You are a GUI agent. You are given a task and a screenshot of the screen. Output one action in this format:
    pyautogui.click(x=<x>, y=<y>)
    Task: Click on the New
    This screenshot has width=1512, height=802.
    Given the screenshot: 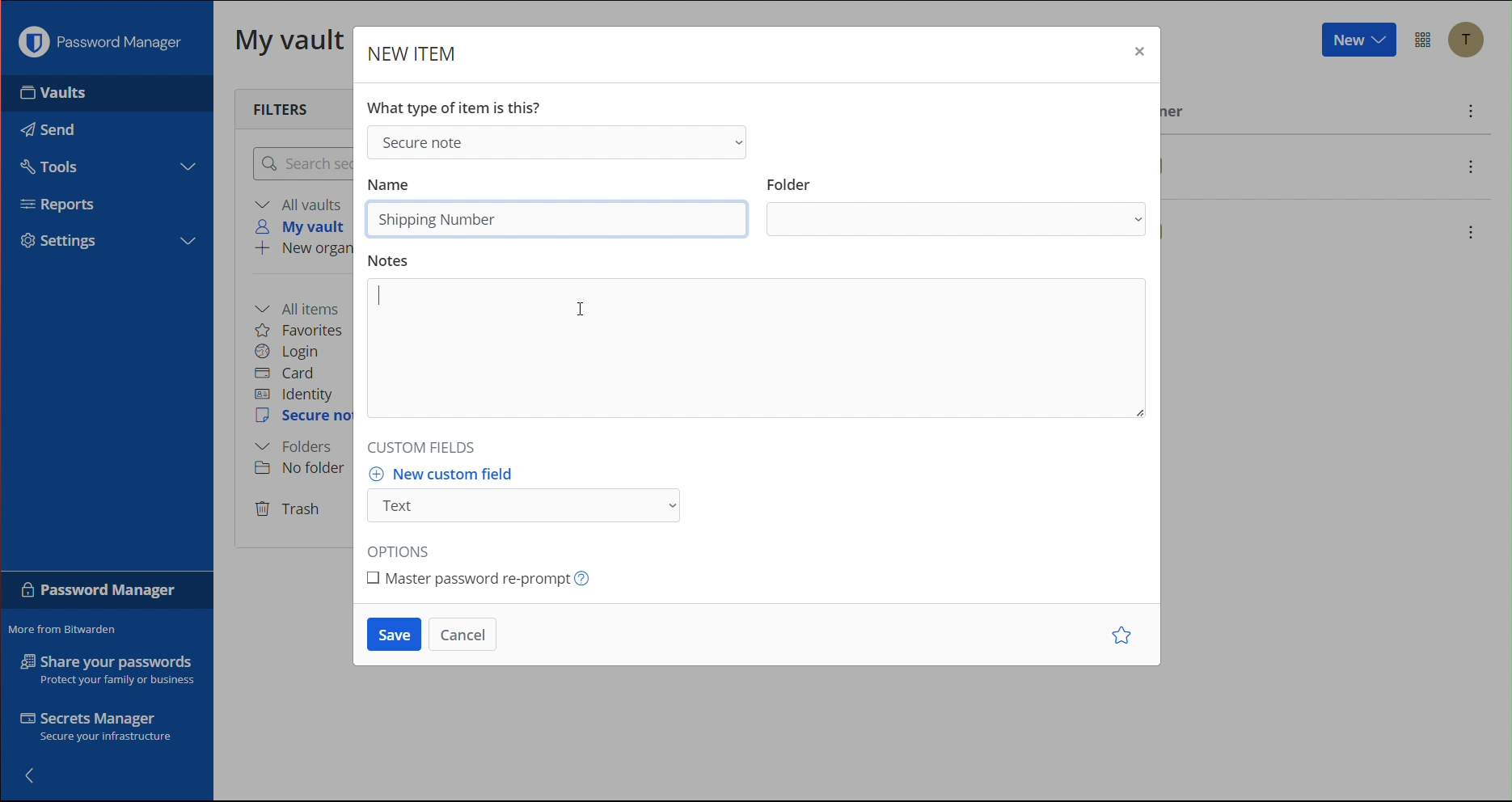 What is the action you would take?
    pyautogui.click(x=1358, y=42)
    